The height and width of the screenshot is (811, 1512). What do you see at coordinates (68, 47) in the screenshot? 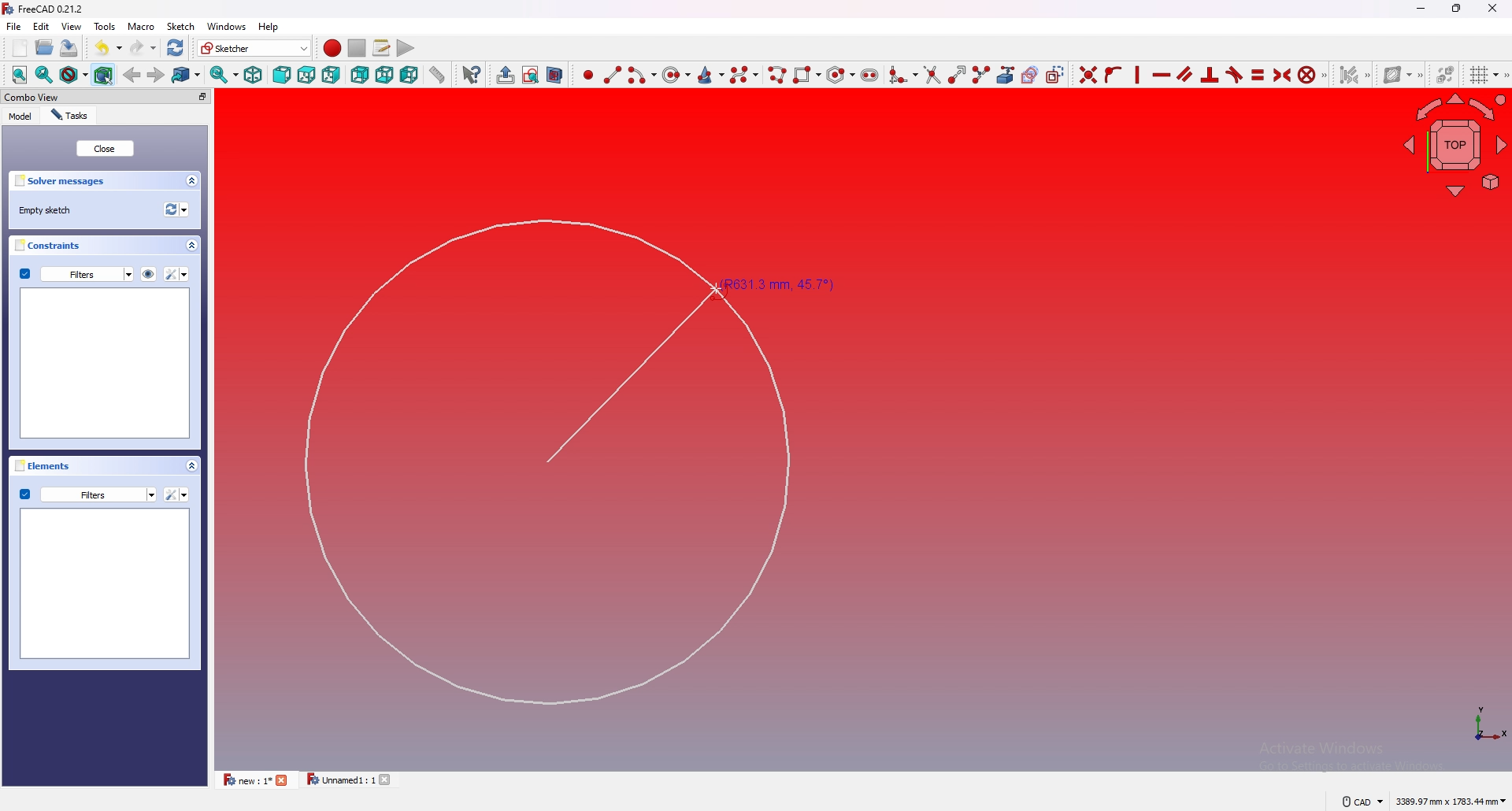
I see `save` at bounding box center [68, 47].